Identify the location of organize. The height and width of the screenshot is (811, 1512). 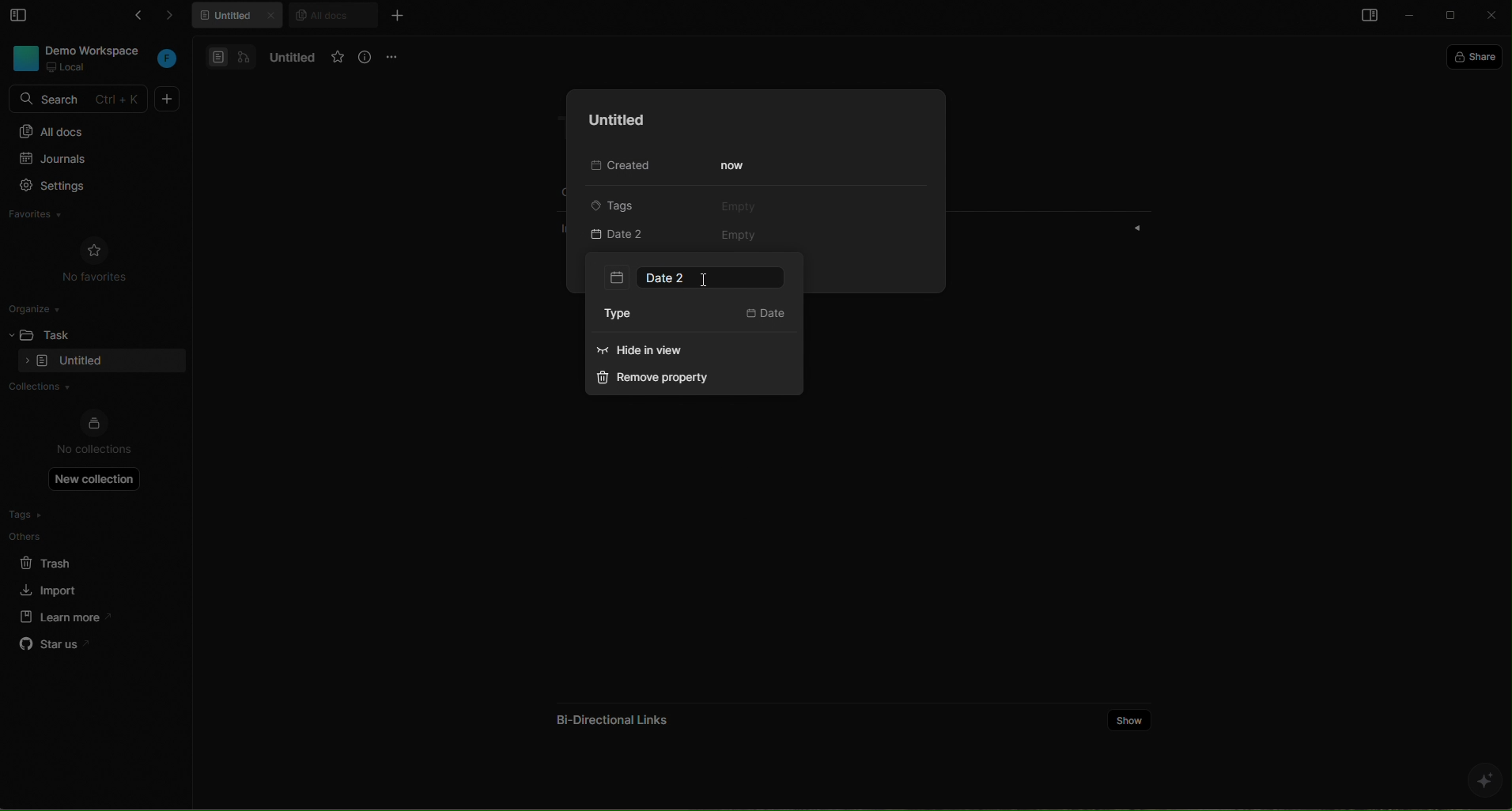
(40, 307).